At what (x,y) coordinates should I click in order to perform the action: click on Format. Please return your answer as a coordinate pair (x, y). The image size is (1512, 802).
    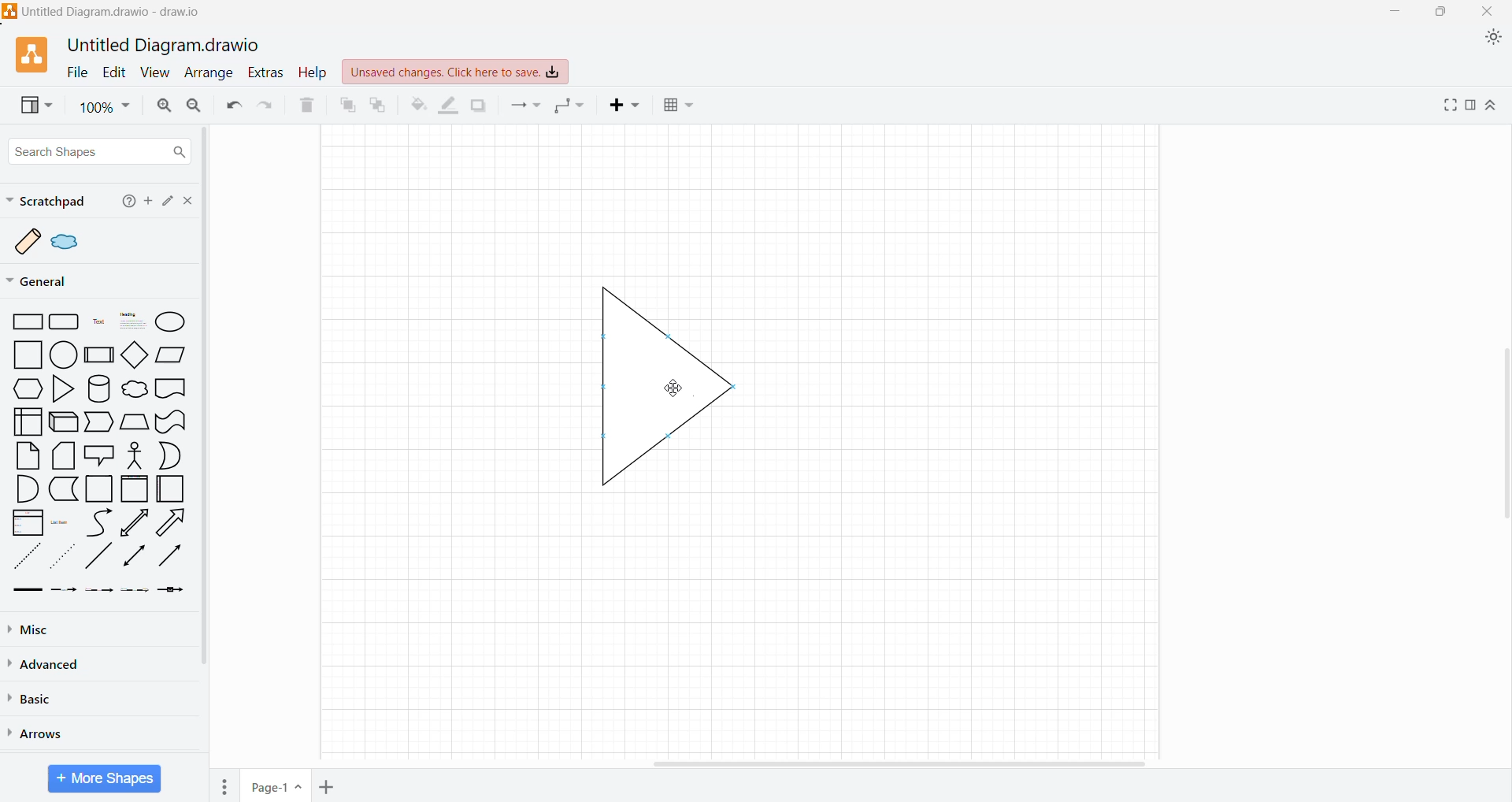
    Looking at the image, I should click on (1470, 106).